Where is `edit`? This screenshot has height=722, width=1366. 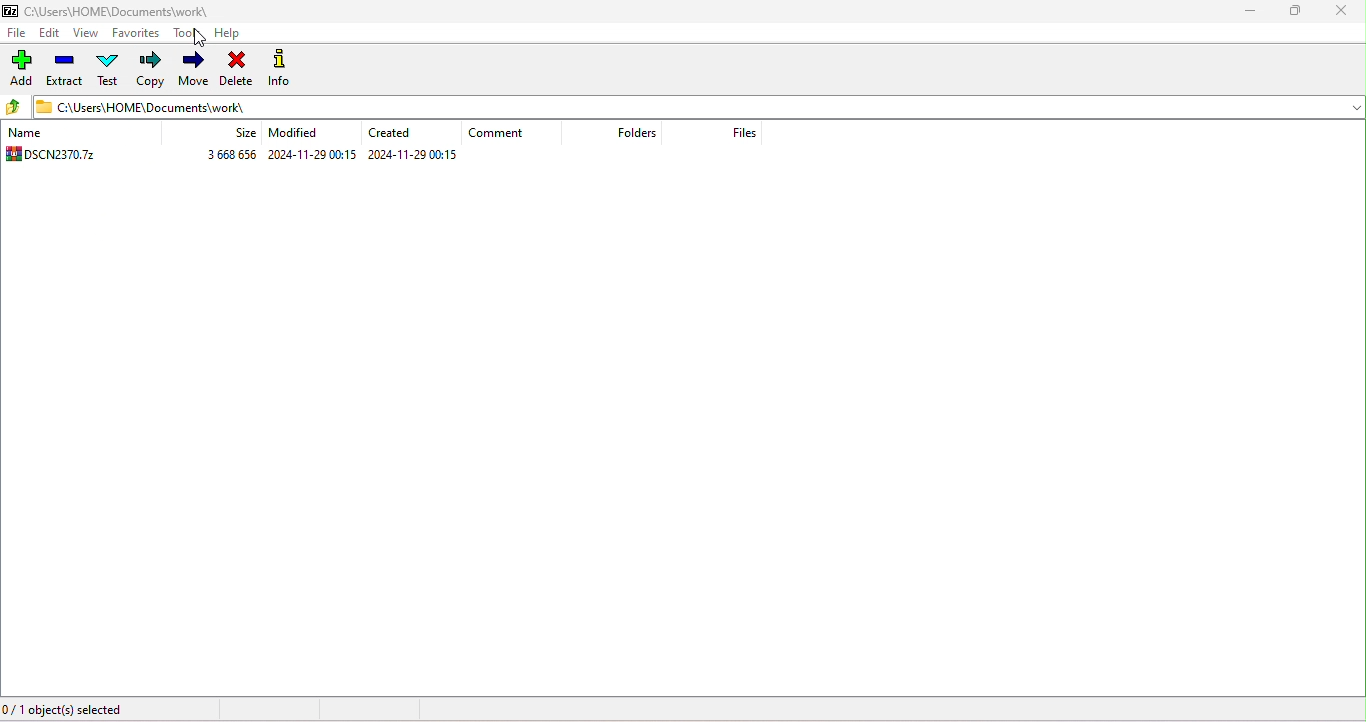 edit is located at coordinates (52, 32).